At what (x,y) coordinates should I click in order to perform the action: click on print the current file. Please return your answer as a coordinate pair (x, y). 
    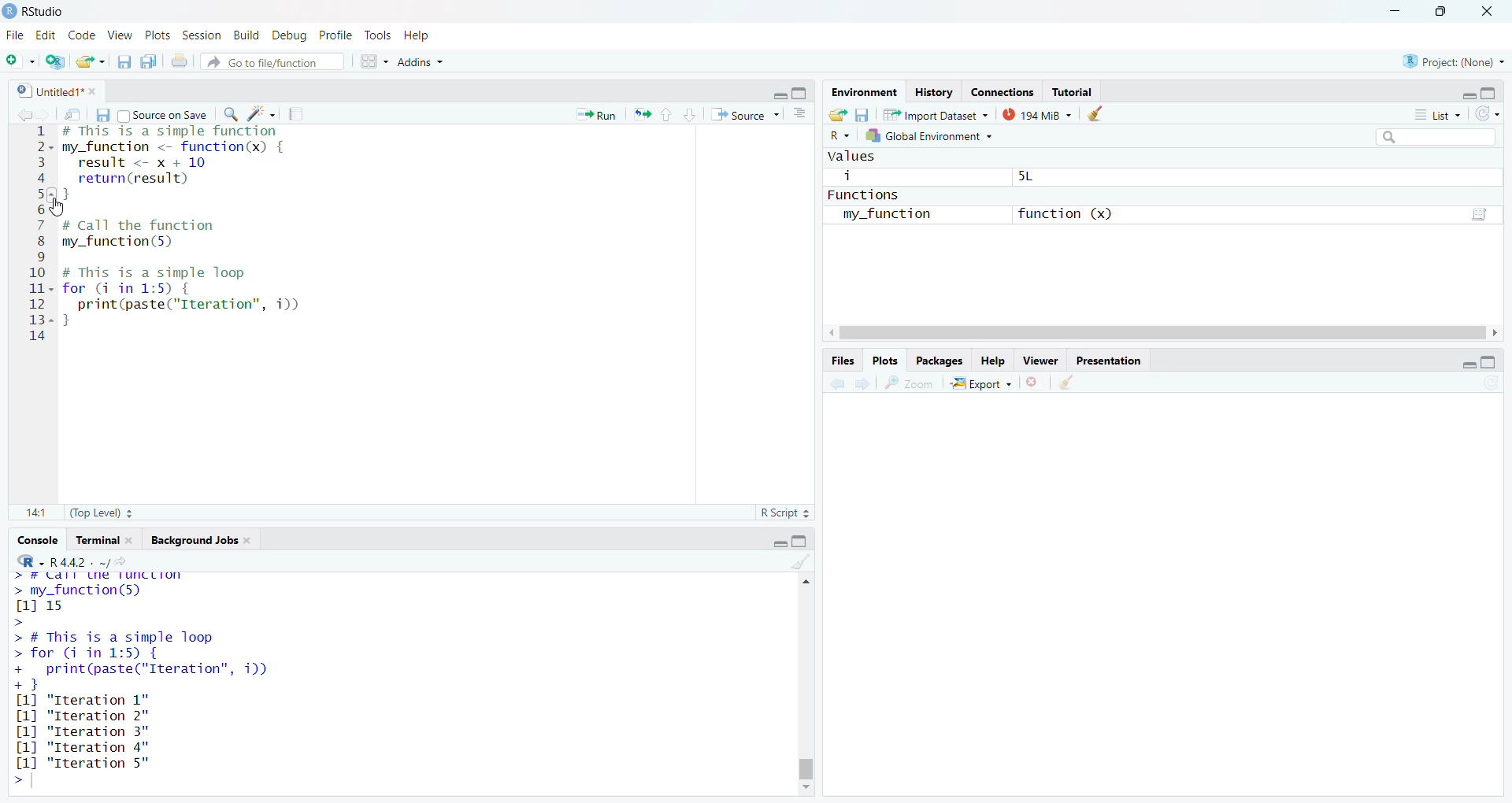
    Looking at the image, I should click on (181, 61).